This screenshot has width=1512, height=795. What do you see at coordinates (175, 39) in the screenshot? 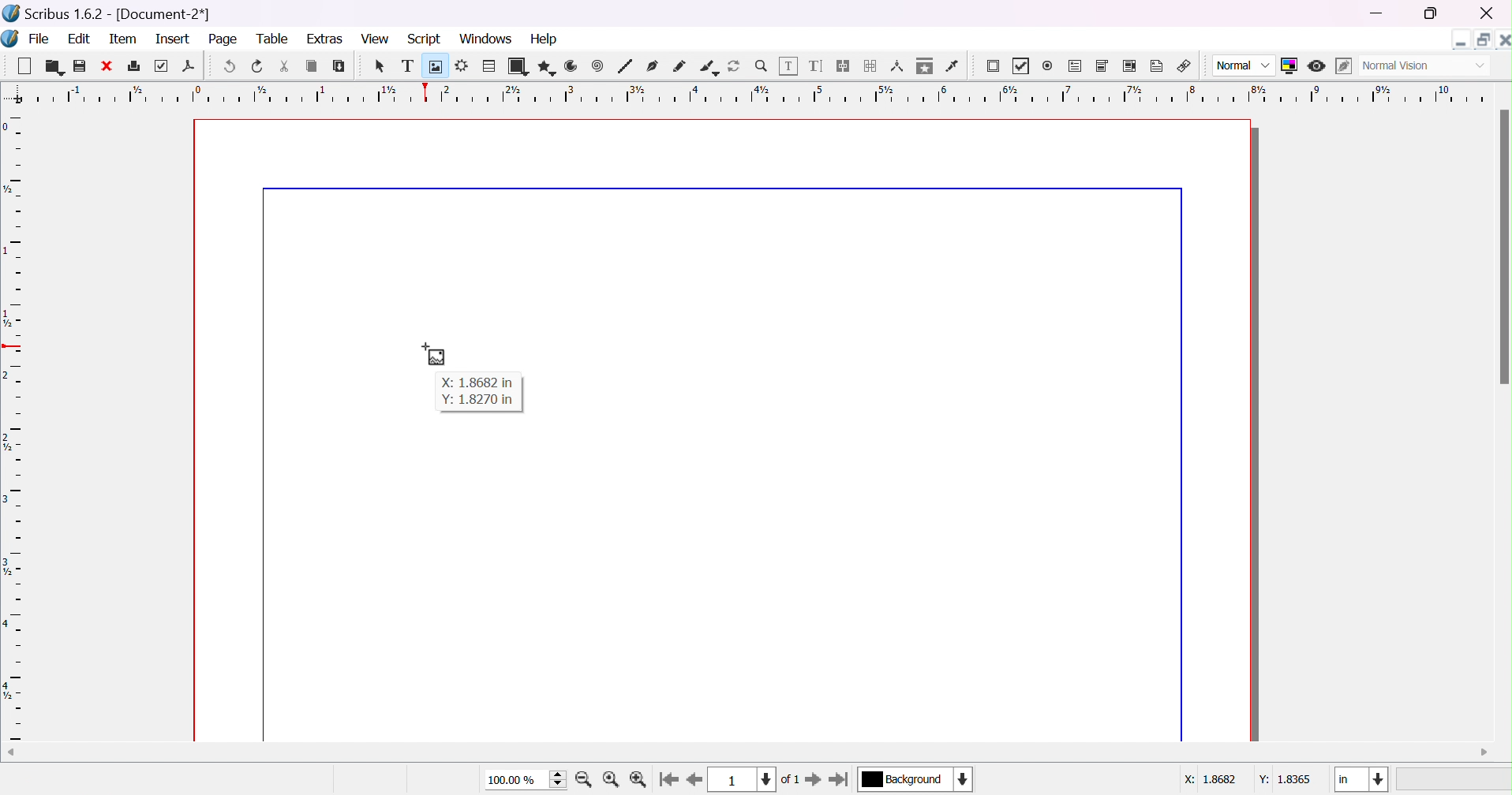
I see `insert` at bounding box center [175, 39].